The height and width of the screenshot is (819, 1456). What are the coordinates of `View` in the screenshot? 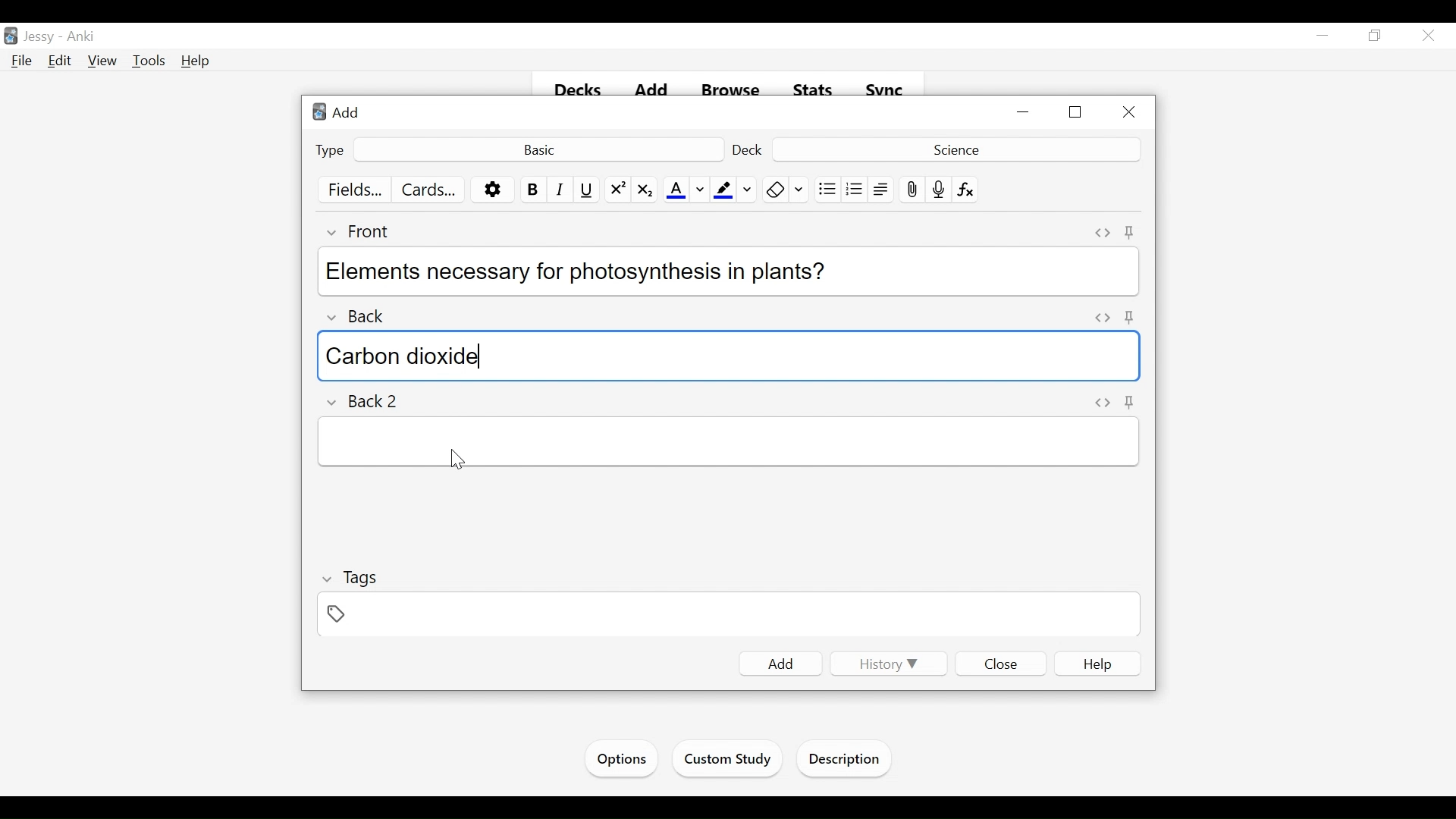 It's located at (103, 61).